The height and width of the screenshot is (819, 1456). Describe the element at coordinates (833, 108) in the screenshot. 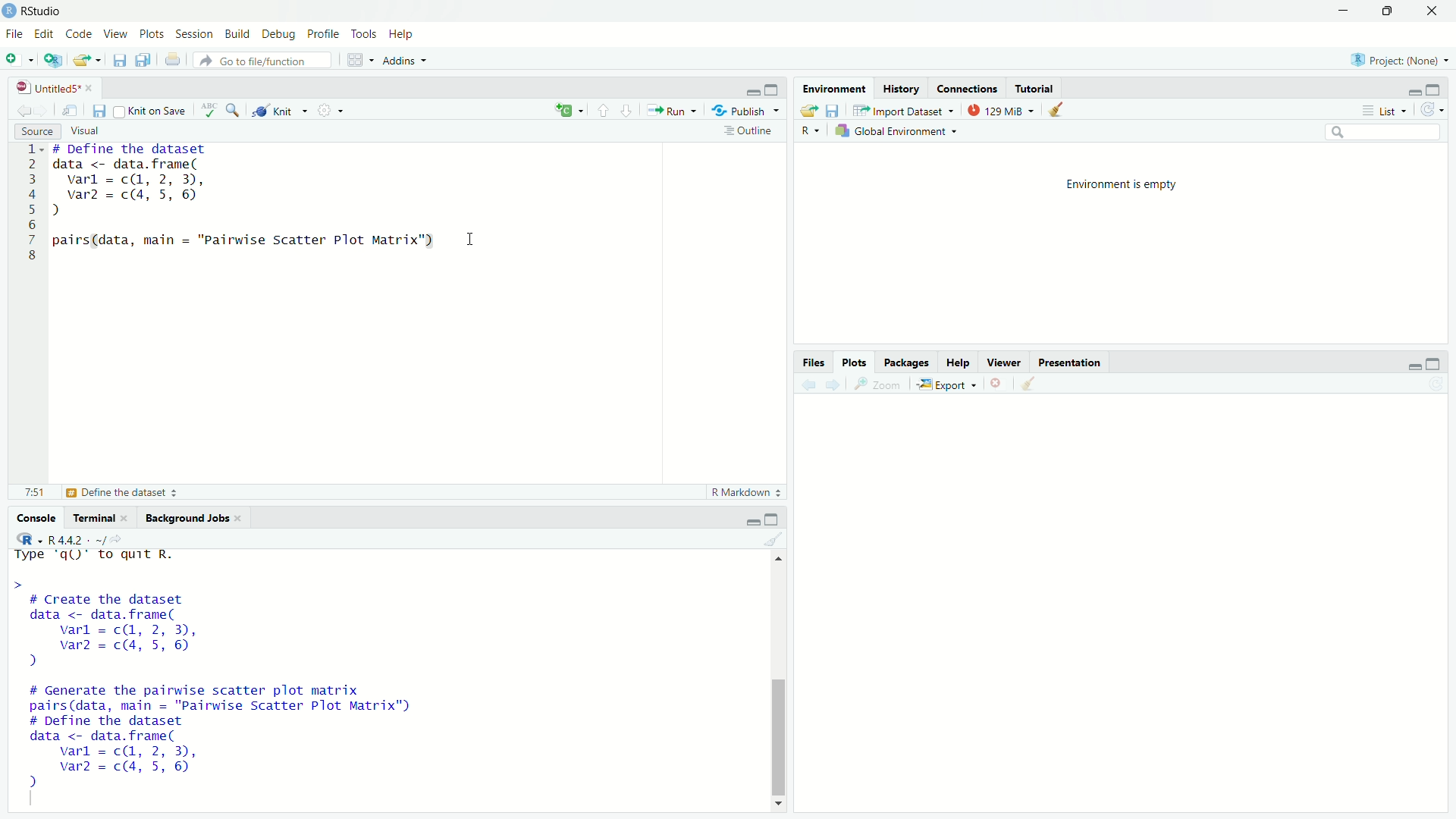

I see `Save workspace as` at that location.